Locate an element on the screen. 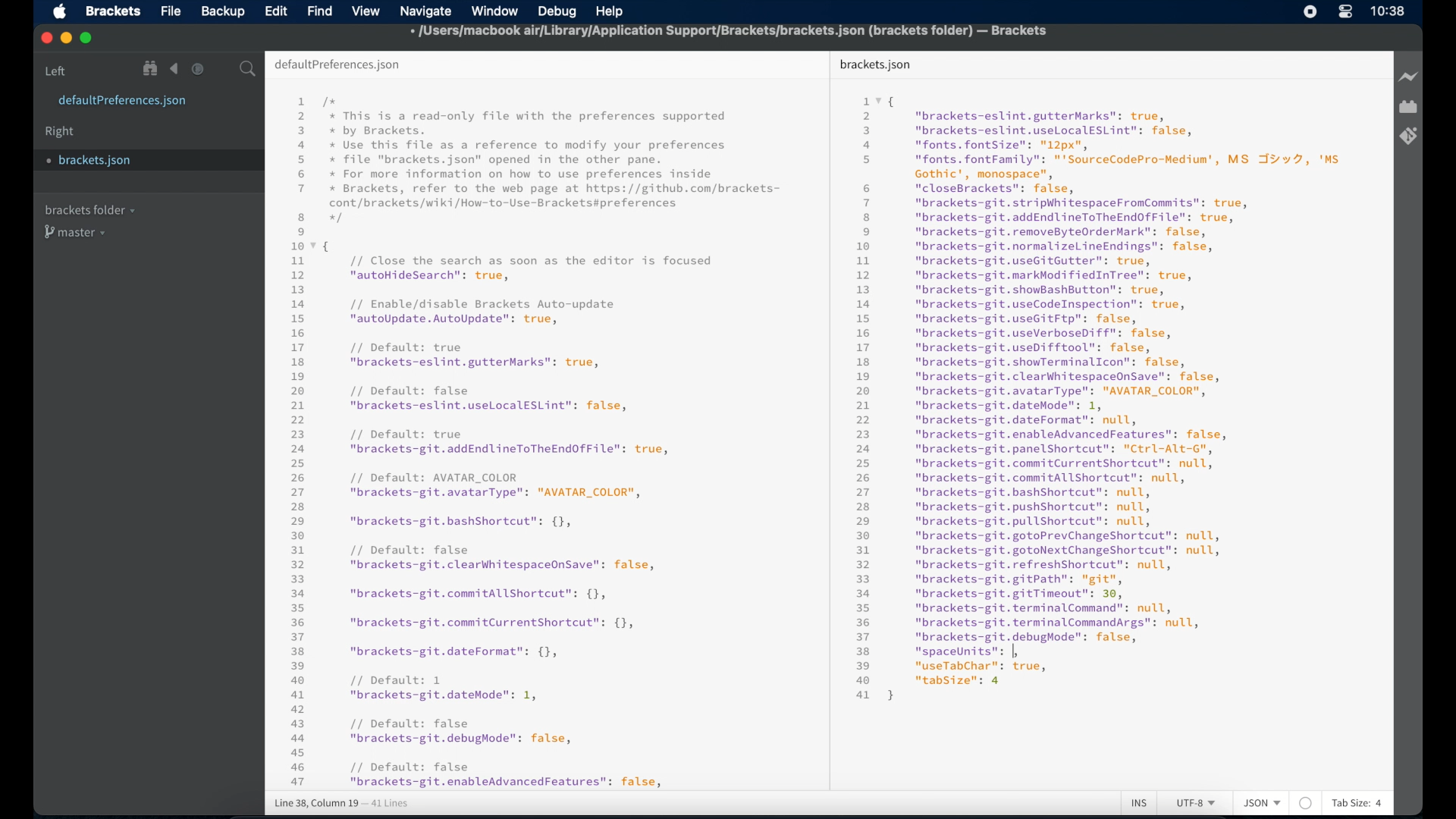 This screenshot has height=819, width=1456. navigate forward is located at coordinates (198, 69).